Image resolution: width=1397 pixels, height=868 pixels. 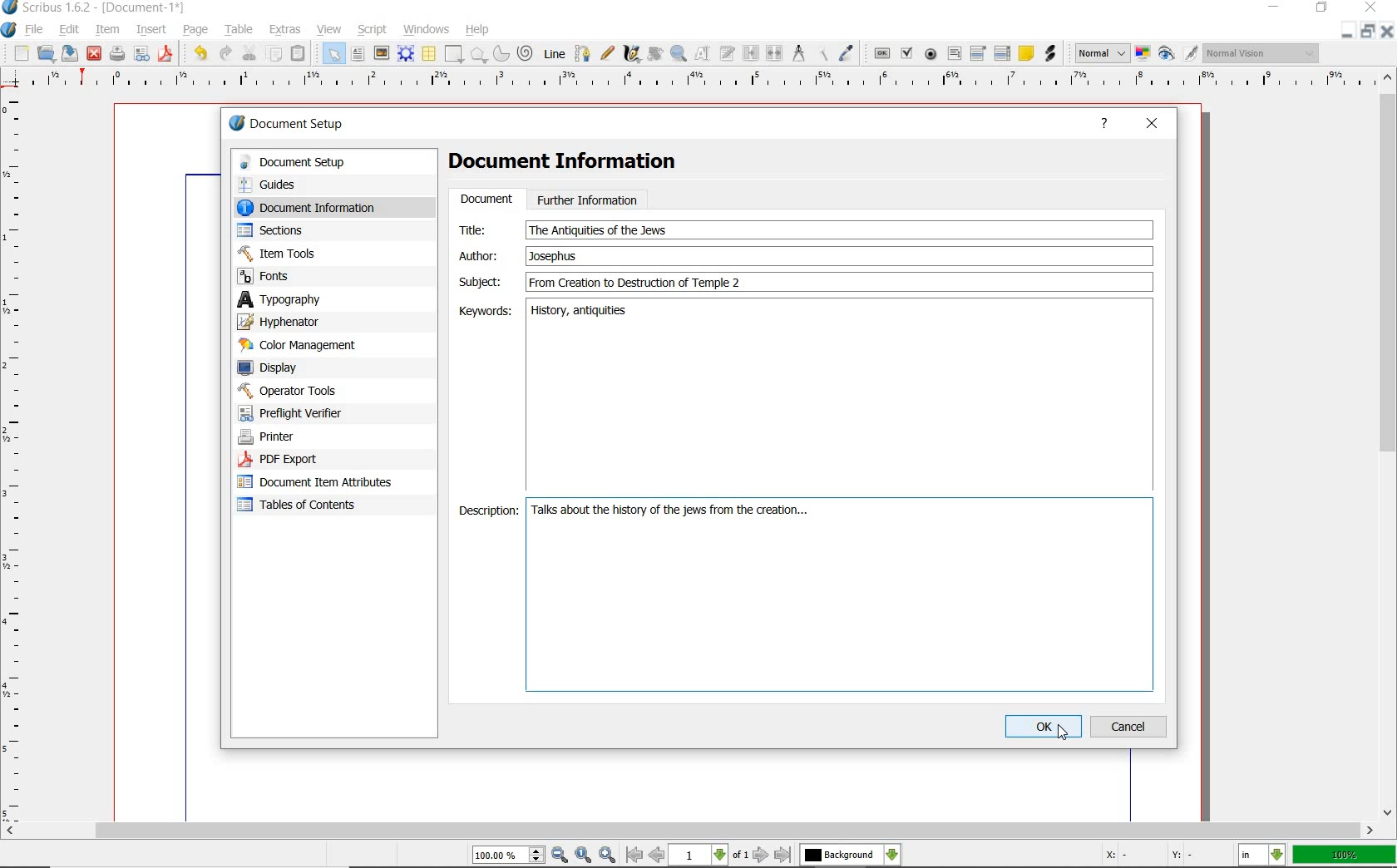 What do you see at coordinates (838, 595) in the screenshot?
I see `: | Talks about the history of the jews from the creation...` at bounding box center [838, 595].